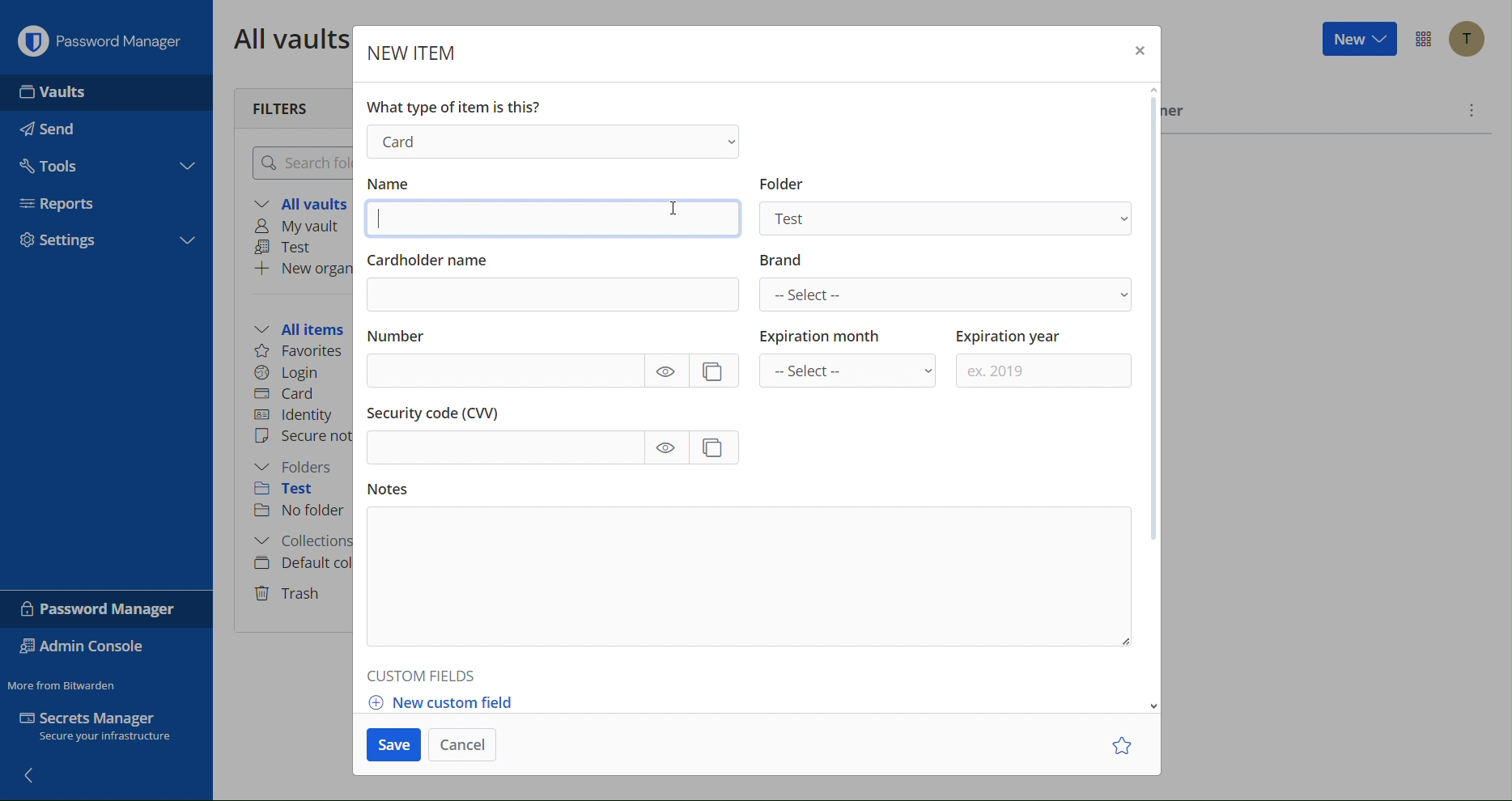 The width and height of the screenshot is (1512, 801). What do you see at coordinates (295, 226) in the screenshot?
I see `My vault` at bounding box center [295, 226].